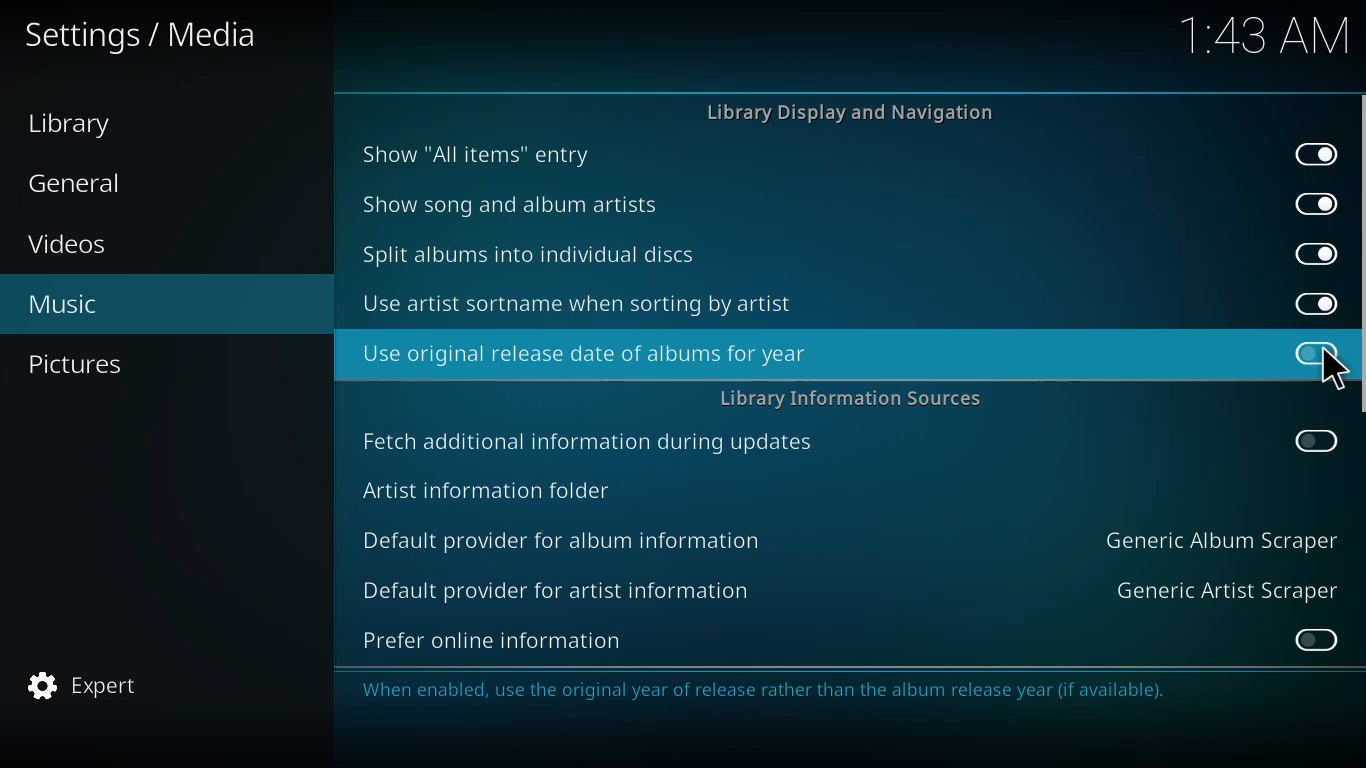  I want to click on library info, so click(851, 398).